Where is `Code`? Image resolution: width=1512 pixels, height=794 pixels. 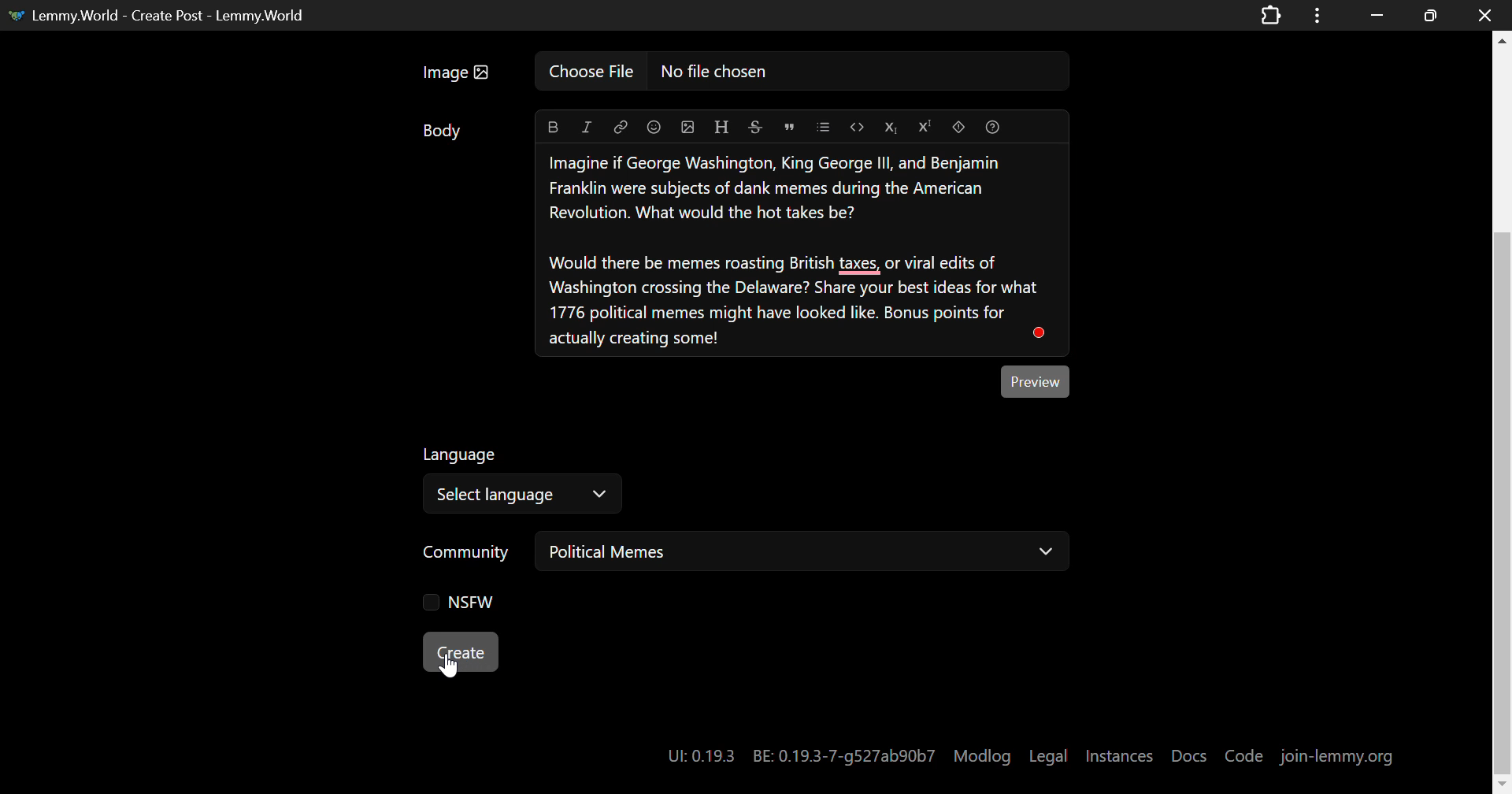 Code is located at coordinates (858, 126).